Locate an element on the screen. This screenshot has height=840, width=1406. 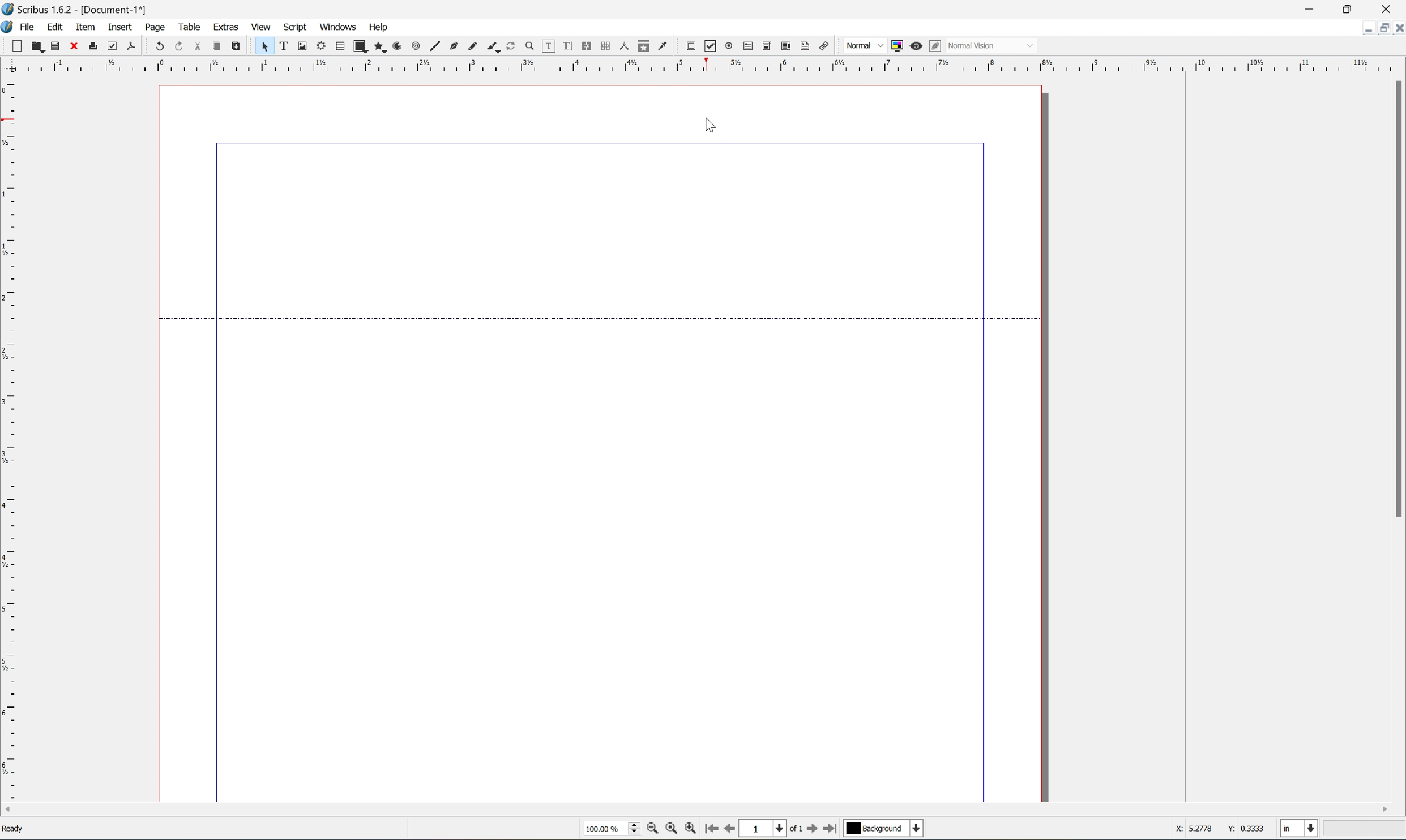
ruler is located at coordinates (9, 440).